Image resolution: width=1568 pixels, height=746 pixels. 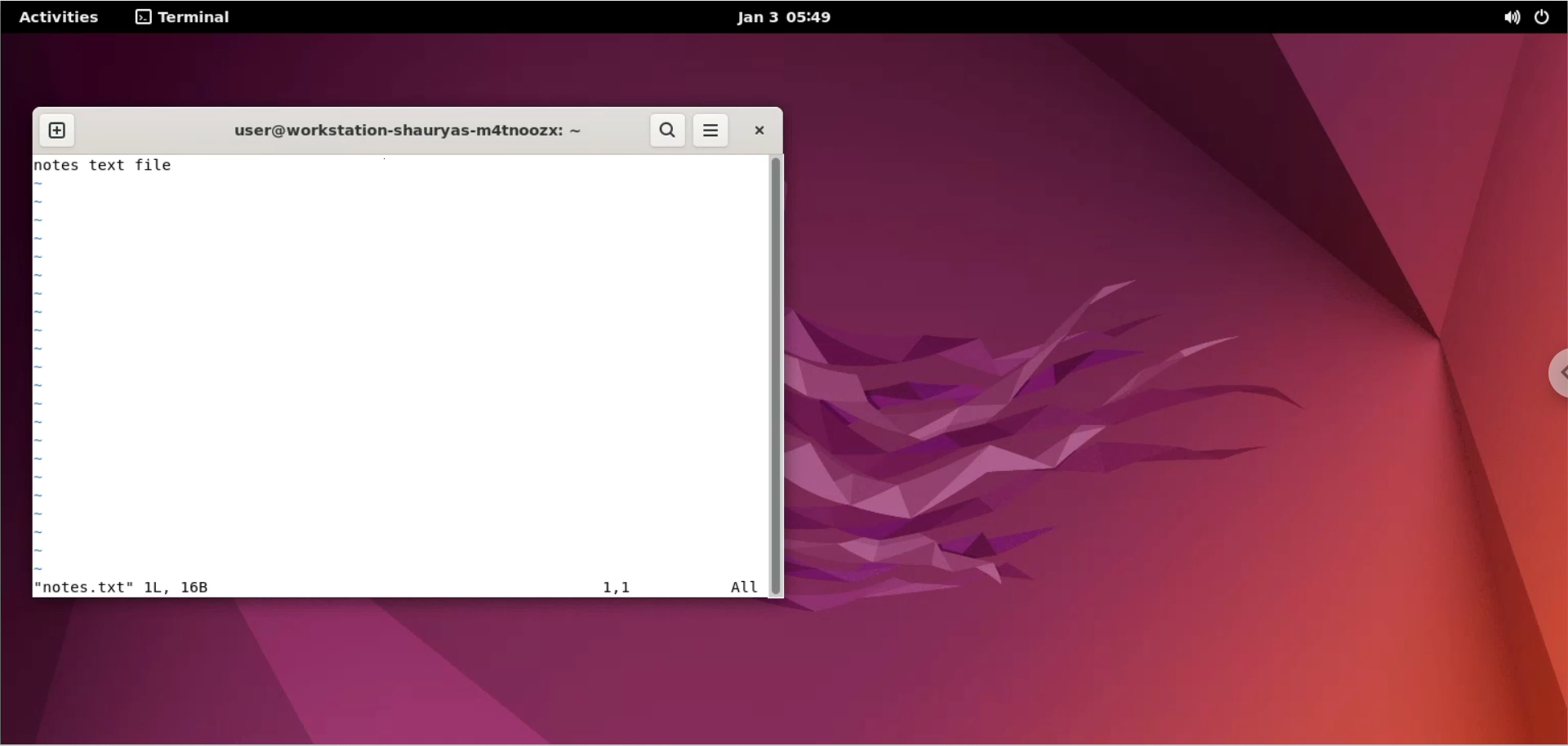 I want to click on jan 3 05:49, so click(x=778, y=18).